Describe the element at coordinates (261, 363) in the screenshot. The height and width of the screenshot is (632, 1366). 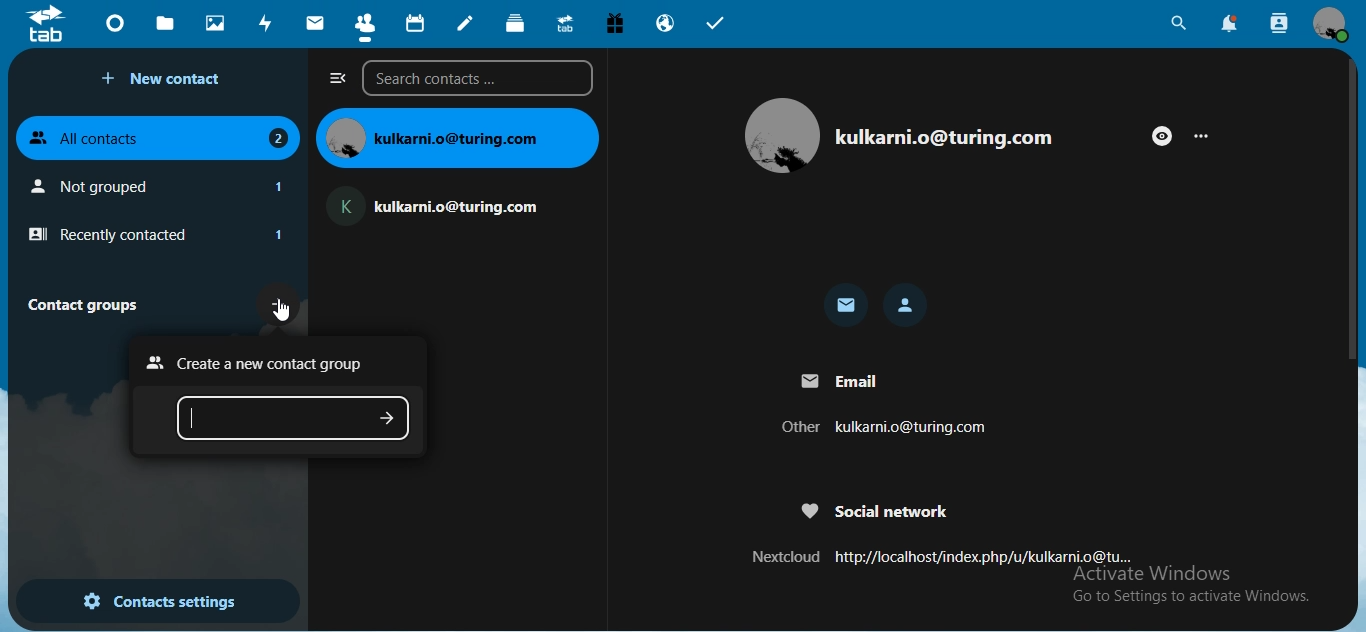
I see `create a new contact group` at that location.